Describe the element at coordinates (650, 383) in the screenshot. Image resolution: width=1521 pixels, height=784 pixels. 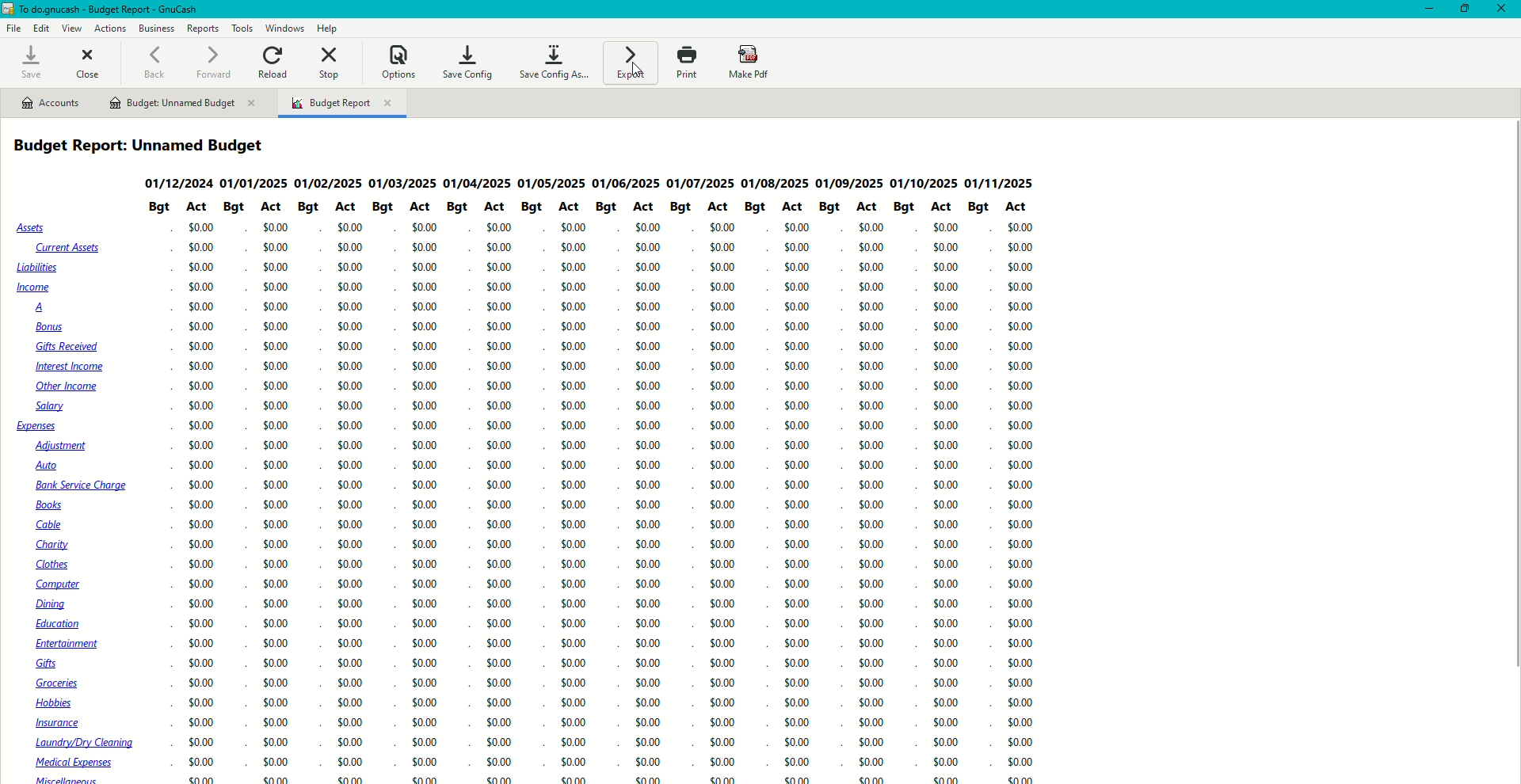
I see `$0.00` at that location.